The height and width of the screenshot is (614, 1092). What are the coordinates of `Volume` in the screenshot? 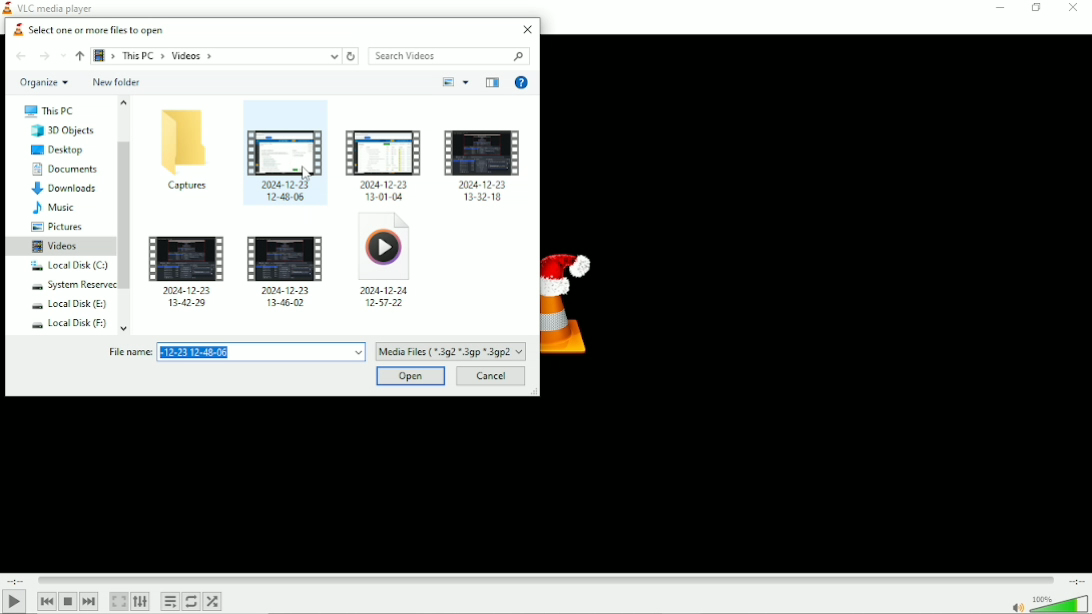 It's located at (1046, 603).